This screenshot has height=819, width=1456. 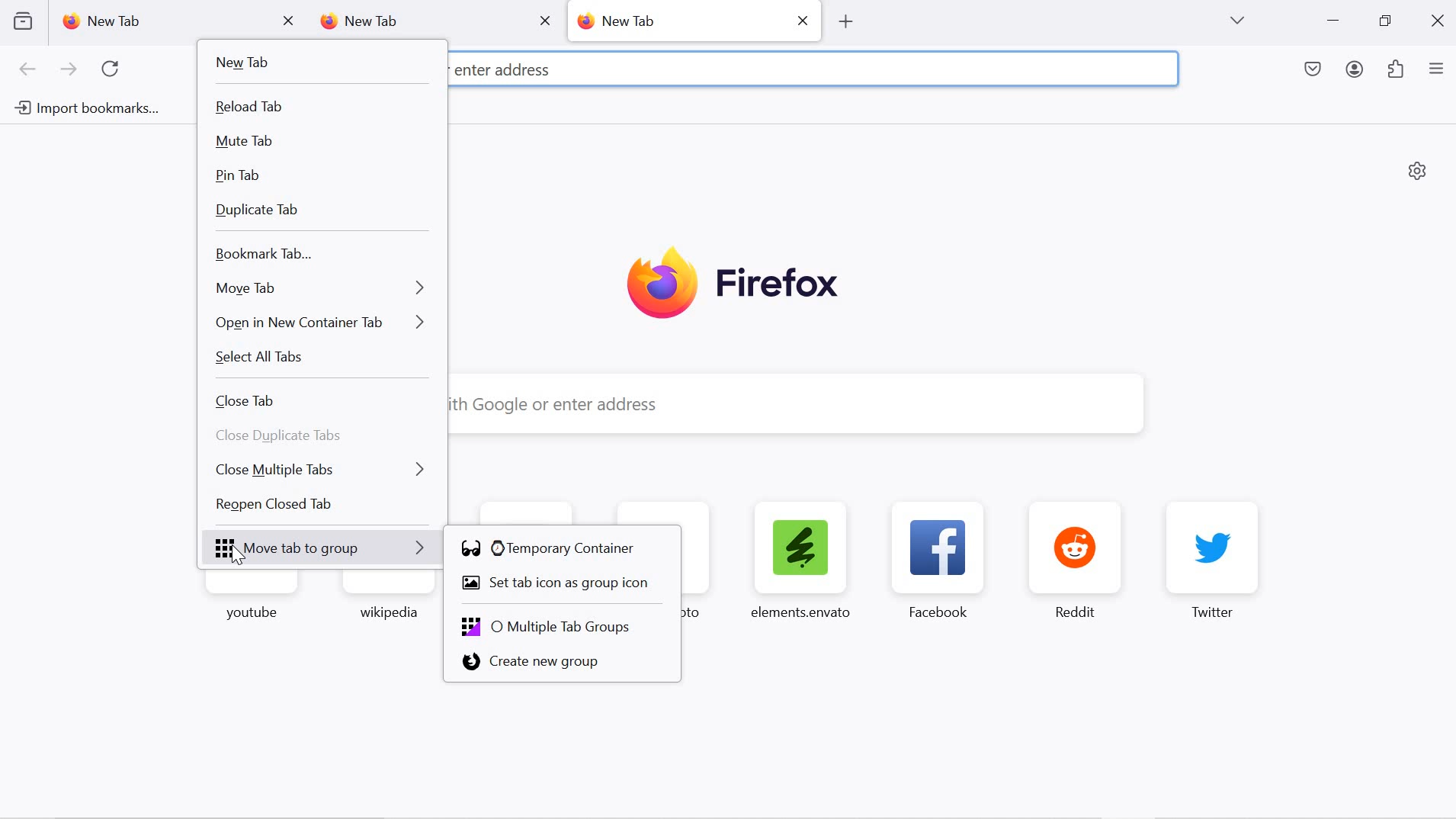 What do you see at coordinates (321, 322) in the screenshot?
I see `open in new container tab` at bounding box center [321, 322].